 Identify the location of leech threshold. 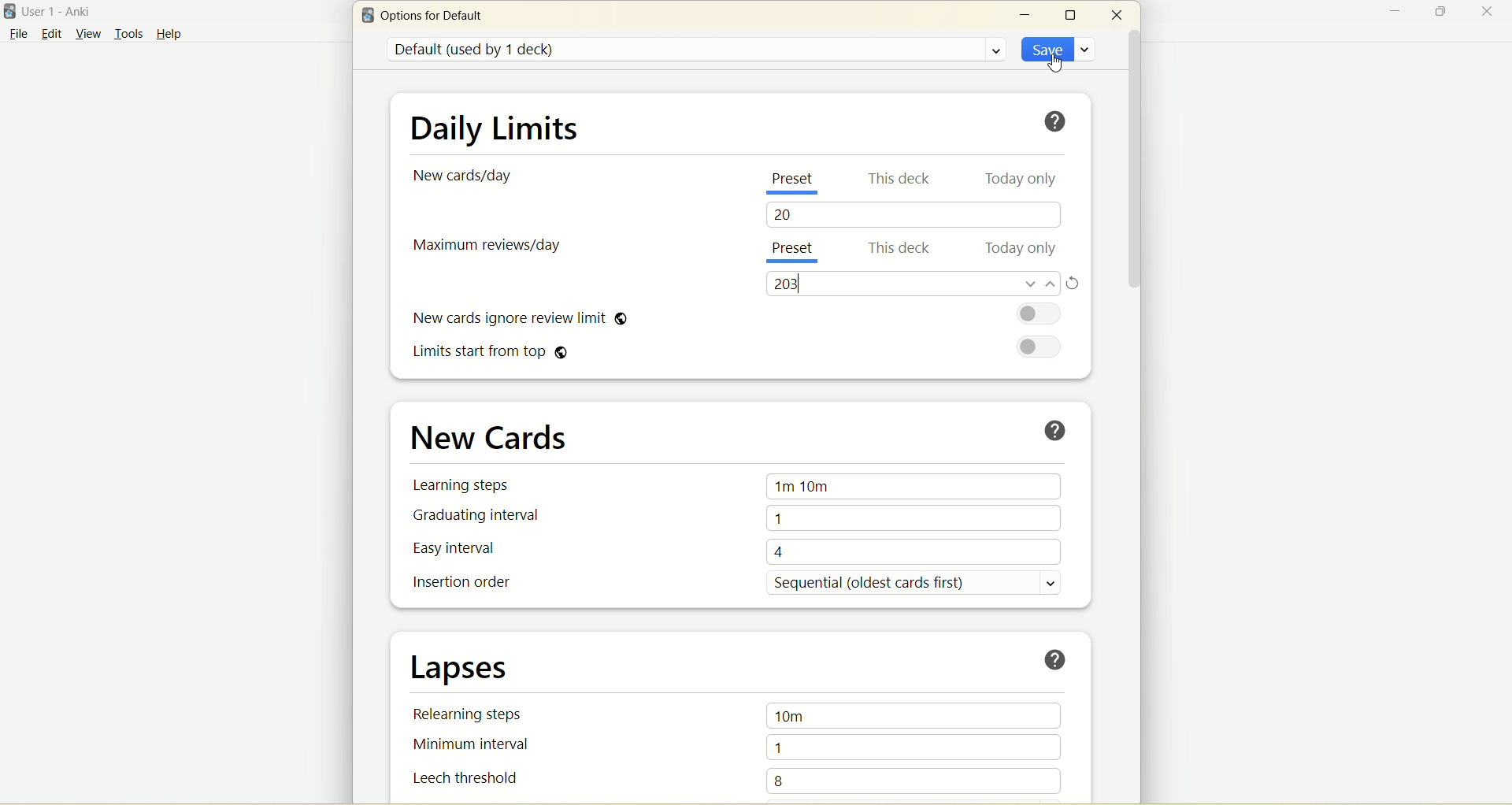
(471, 776).